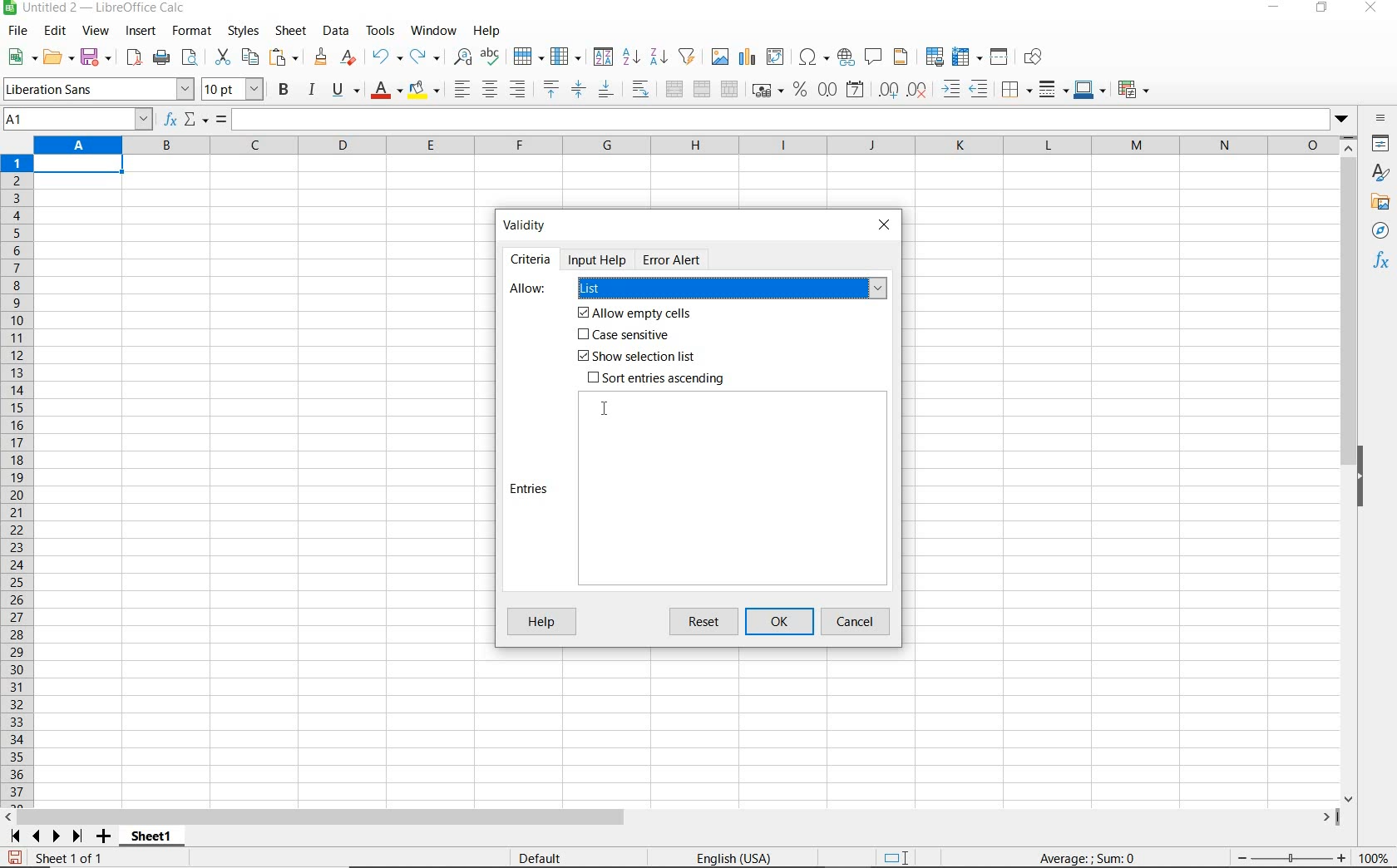  Describe the element at coordinates (1350, 470) in the screenshot. I see `scrollbar` at that location.